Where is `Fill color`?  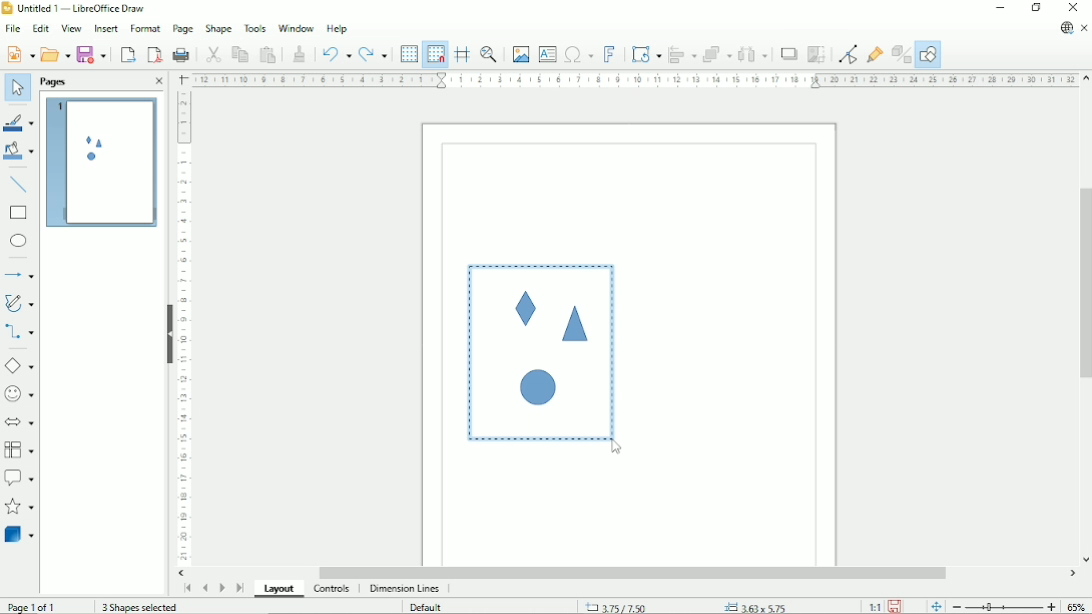
Fill color is located at coordinates (19, 152).